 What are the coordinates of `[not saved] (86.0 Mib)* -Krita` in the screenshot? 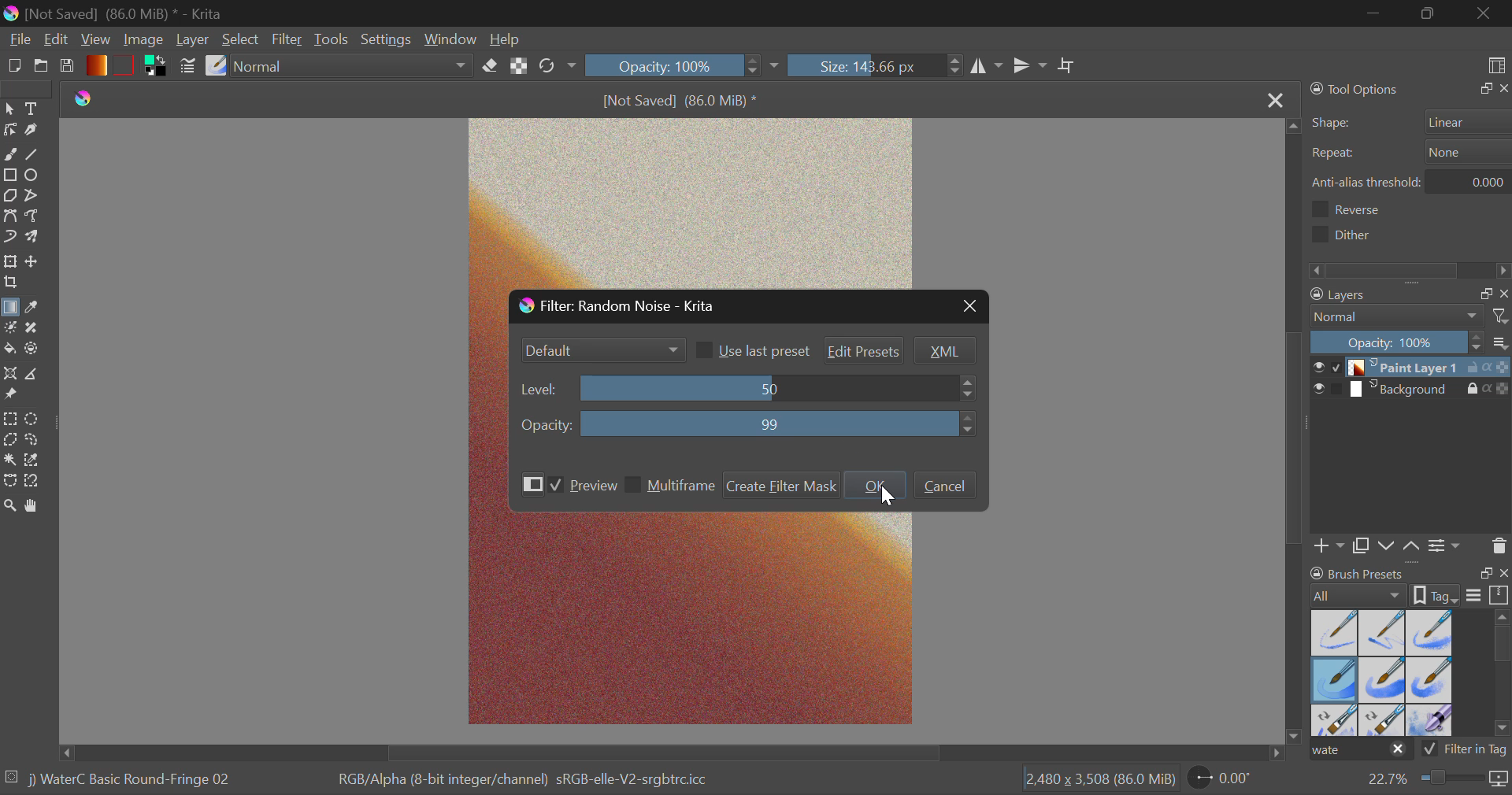 It's located at (114, 14).